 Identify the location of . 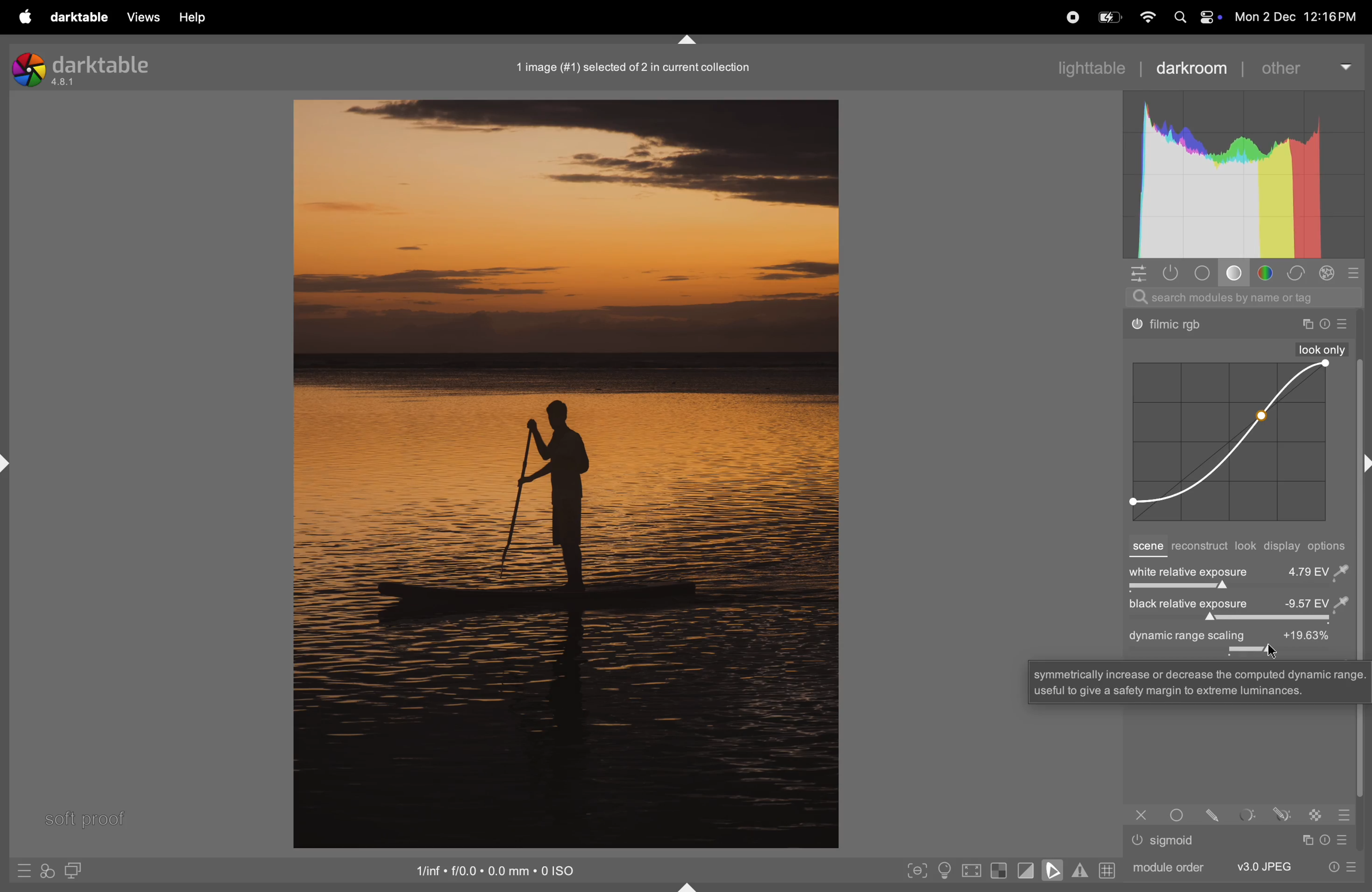
(566, 475).